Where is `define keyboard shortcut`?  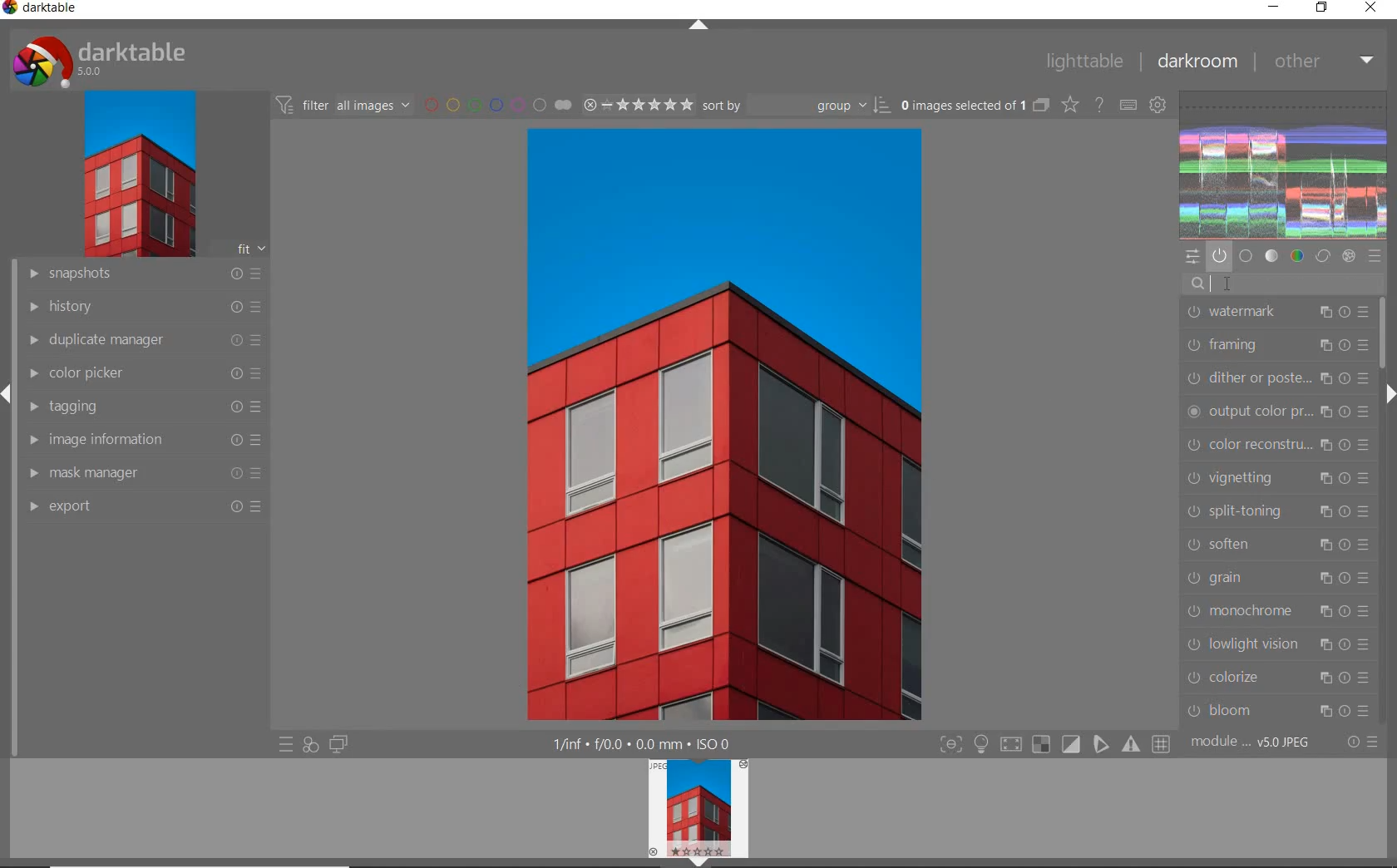 define keyboard shortcut is located at coordinates (1128, 105).